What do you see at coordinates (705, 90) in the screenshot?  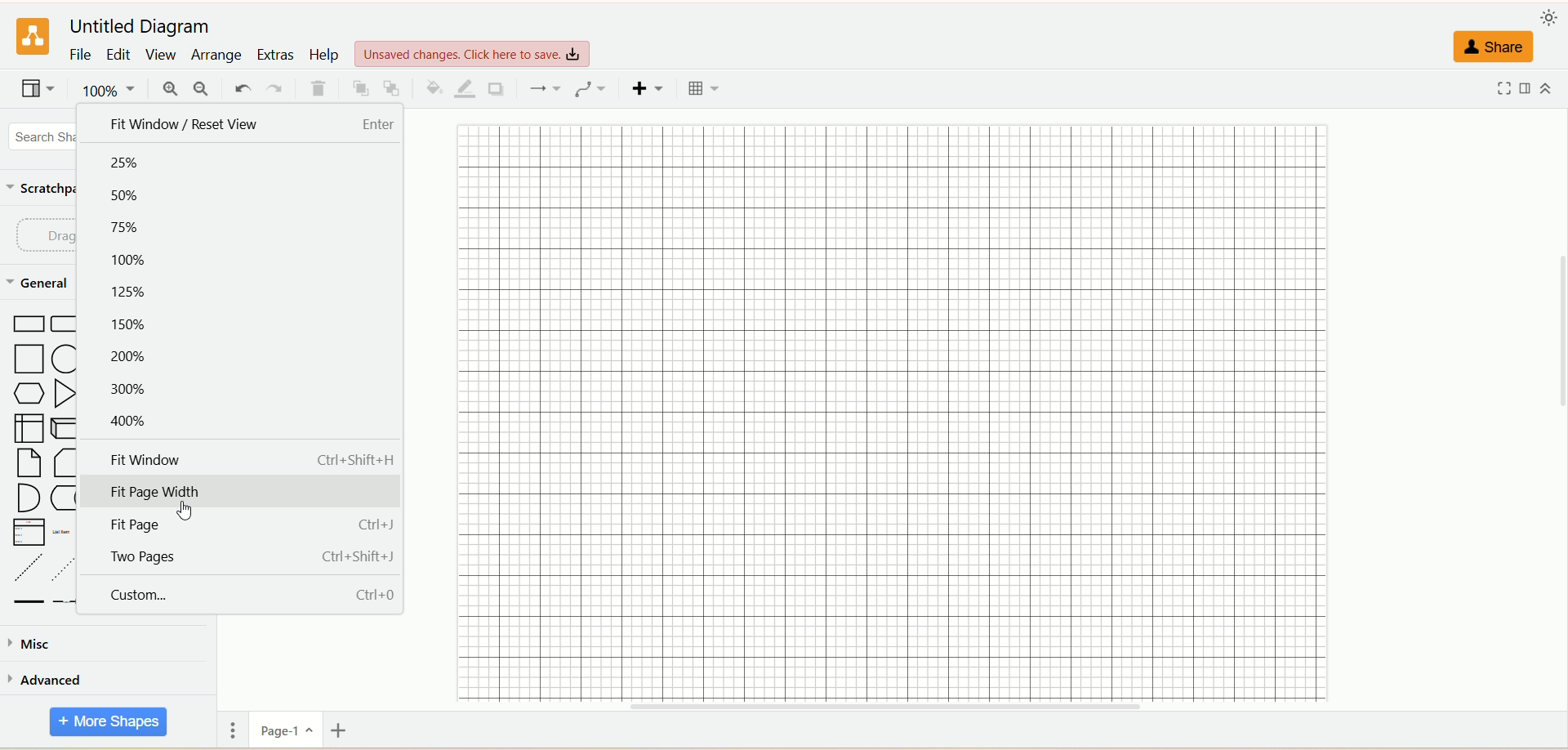 I see `Table` at bounding box center [705, 90].